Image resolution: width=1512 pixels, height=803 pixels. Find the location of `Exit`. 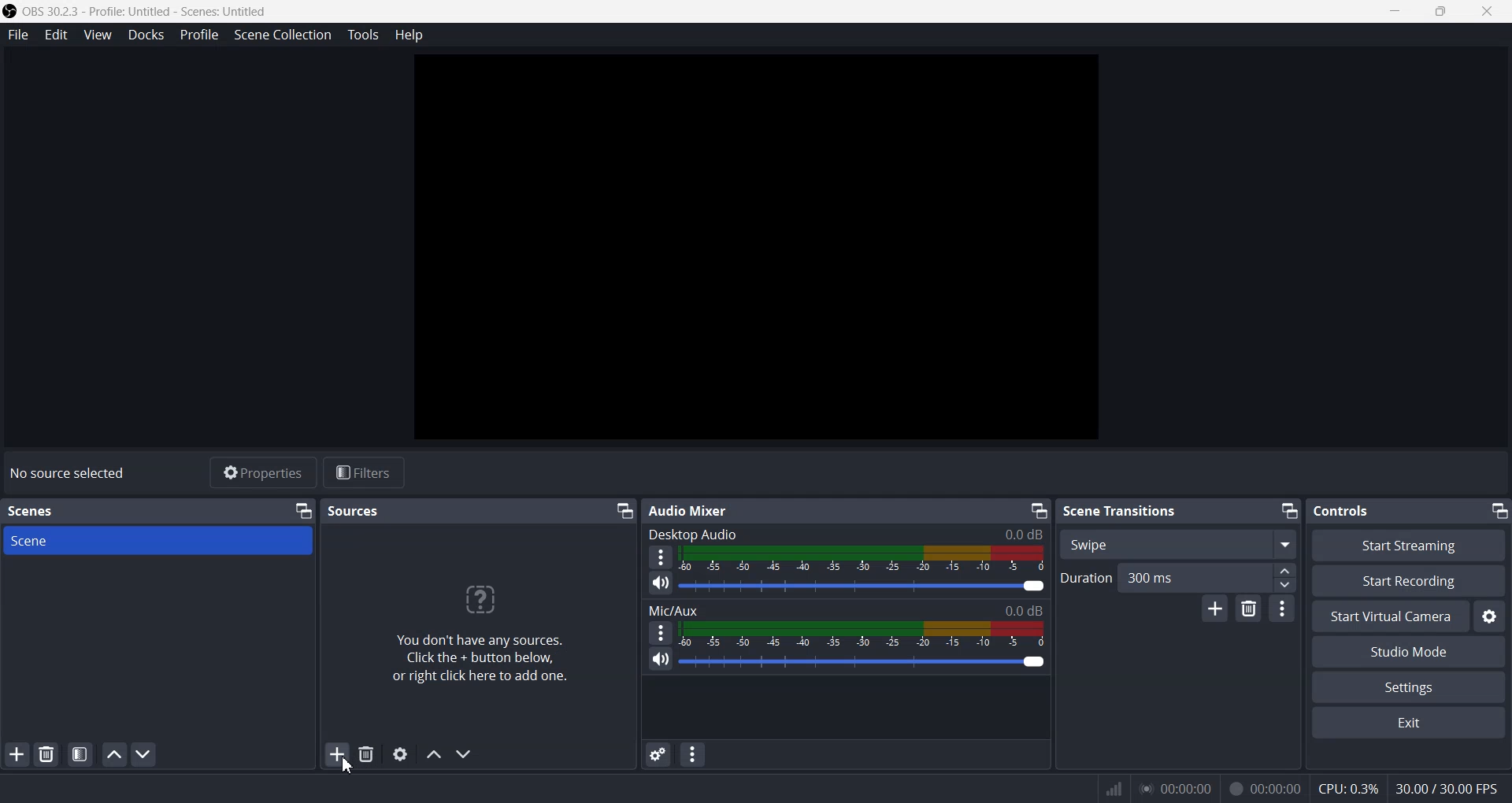

Exit is located at coordinates (1412, 724).